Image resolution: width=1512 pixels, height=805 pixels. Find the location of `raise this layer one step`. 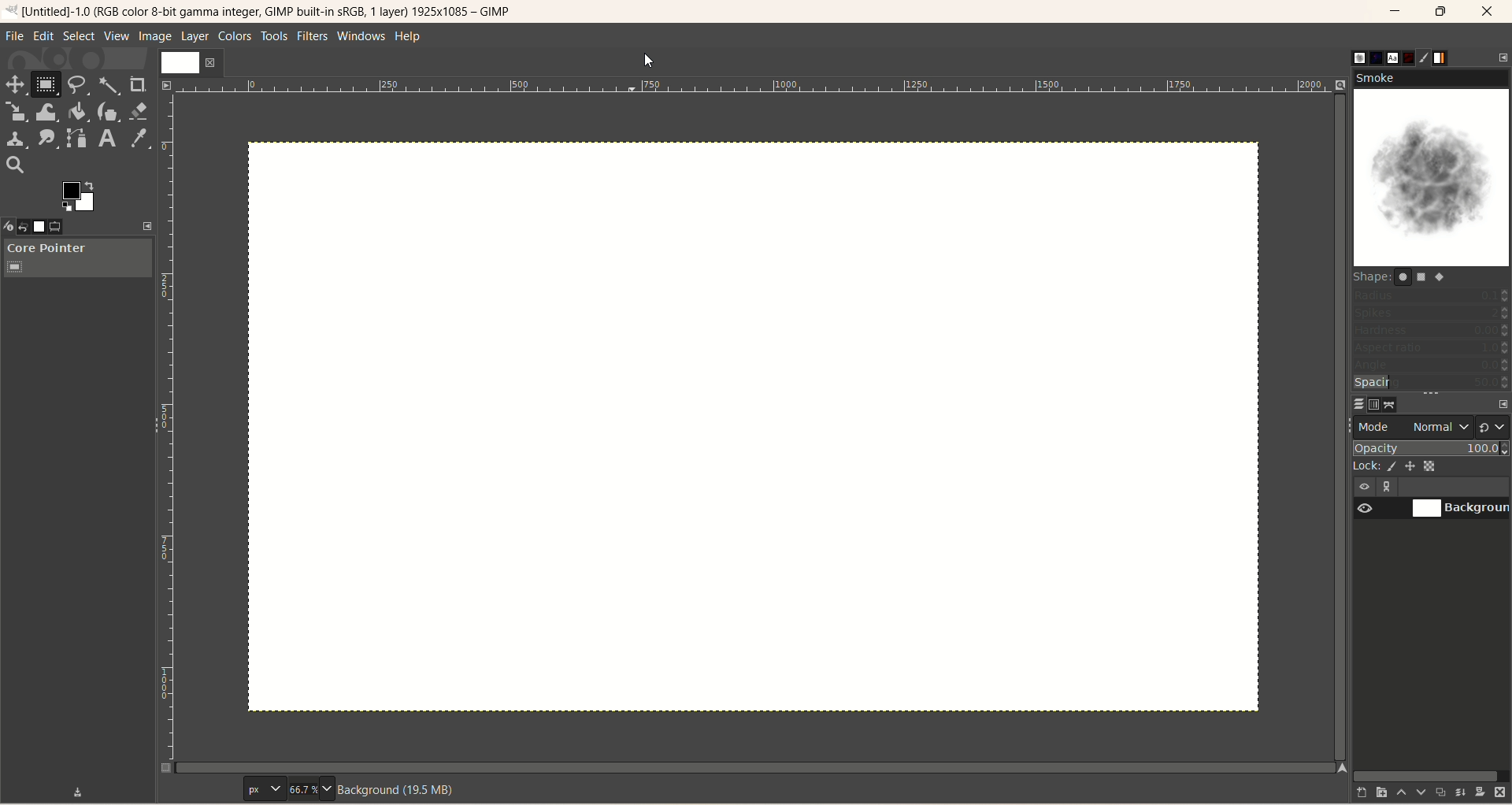

raise this layer one step is located at coordinates (1394, 795).